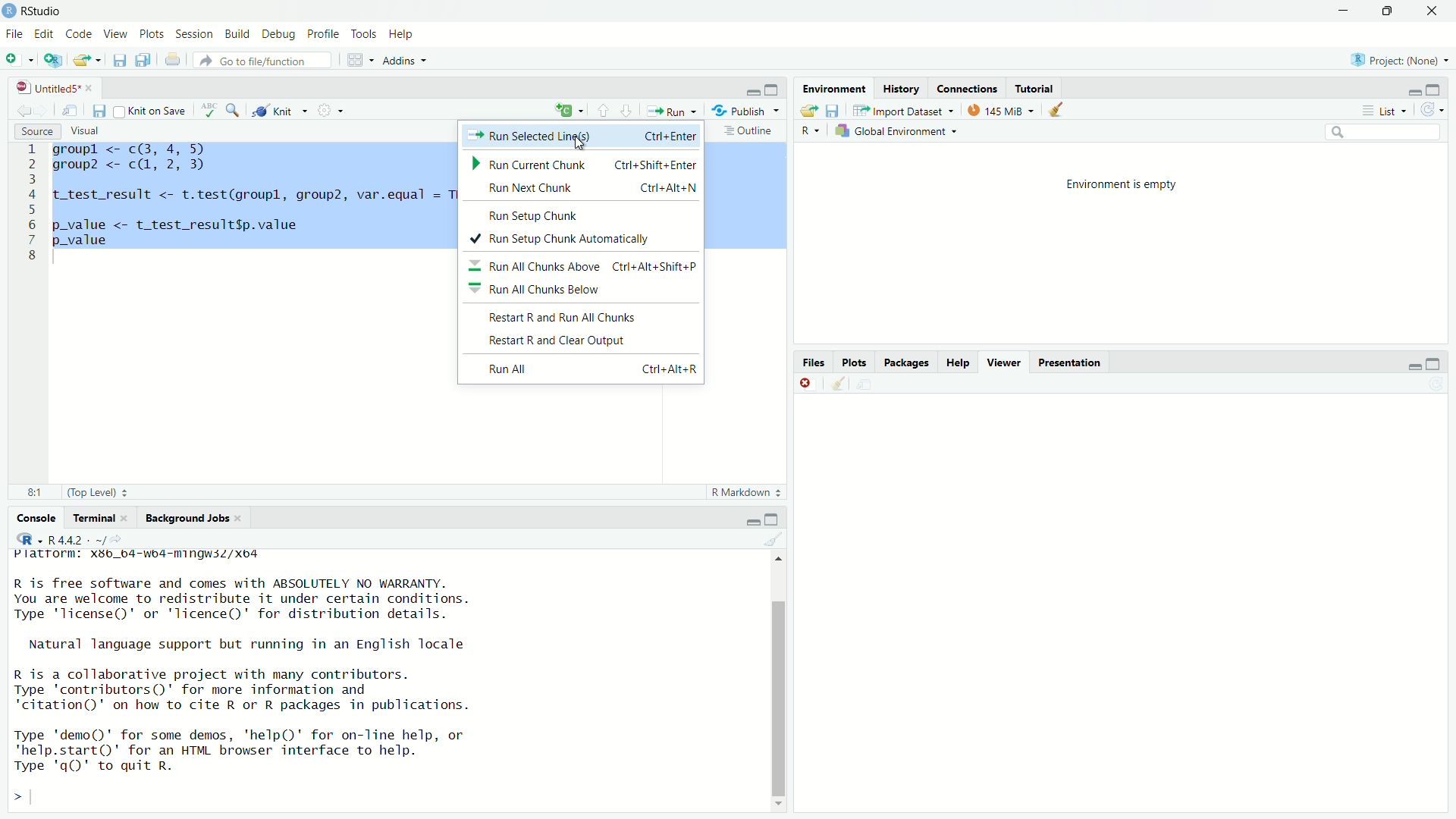 The width and height of the screenshot is (1456, 819). What do you see at coordinates (30, 108) in the screenshot?
I see `go back` at bounding box center [30, 108].